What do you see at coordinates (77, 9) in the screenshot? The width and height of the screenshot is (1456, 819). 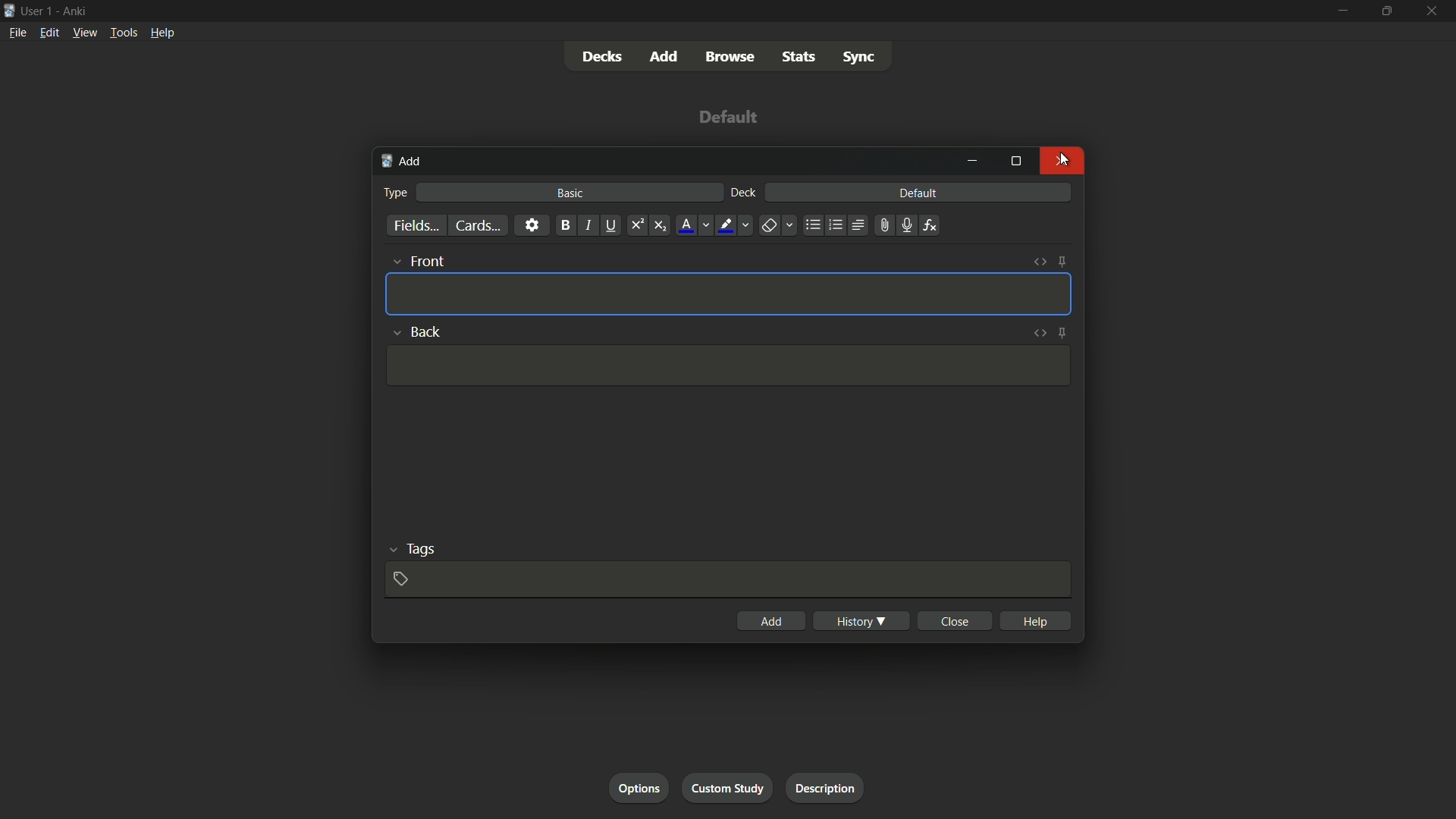 I see `app name` at bounding box center [77, 9].